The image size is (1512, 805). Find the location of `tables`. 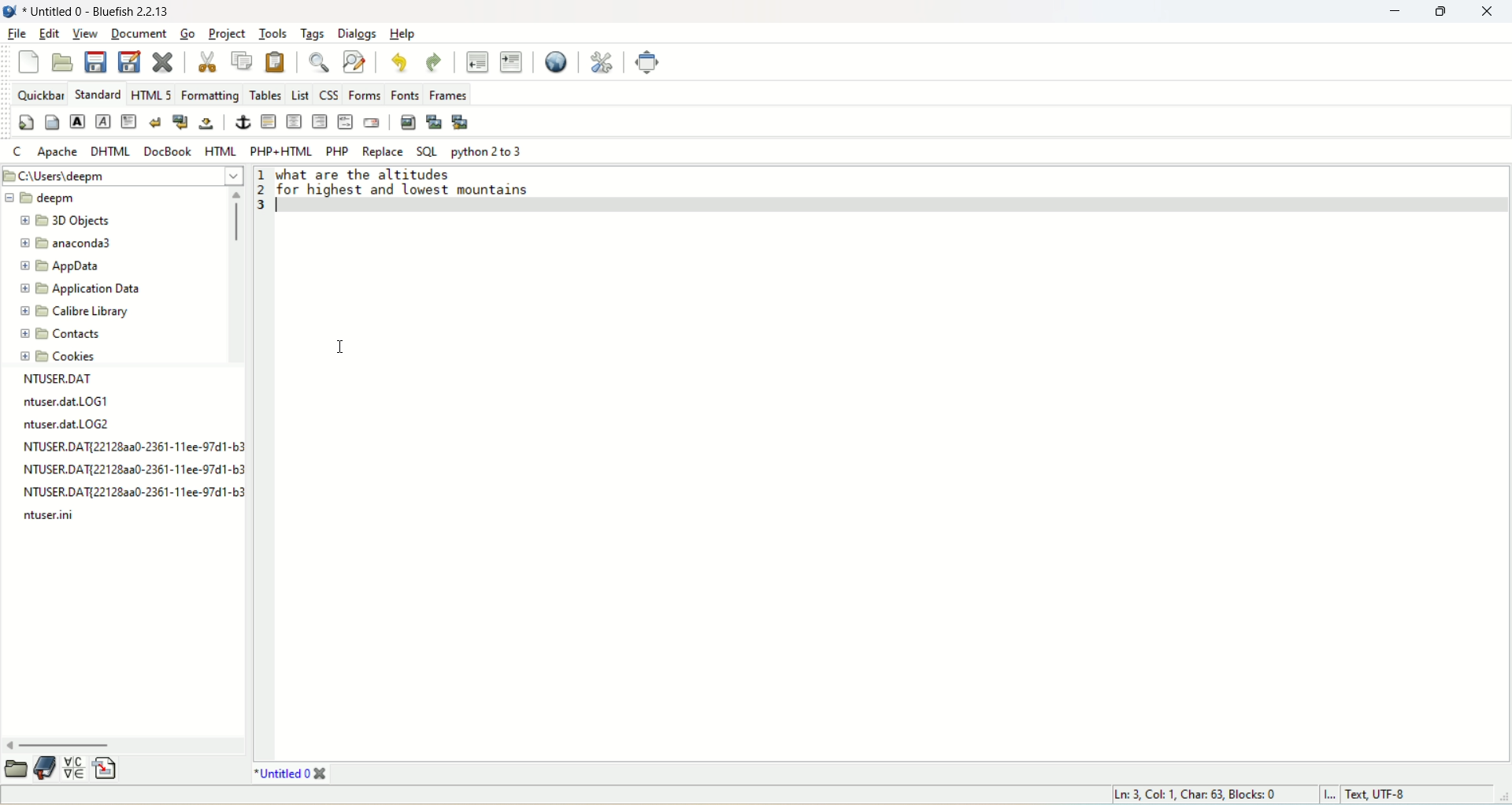

tables is located at coordinates (265, 94).